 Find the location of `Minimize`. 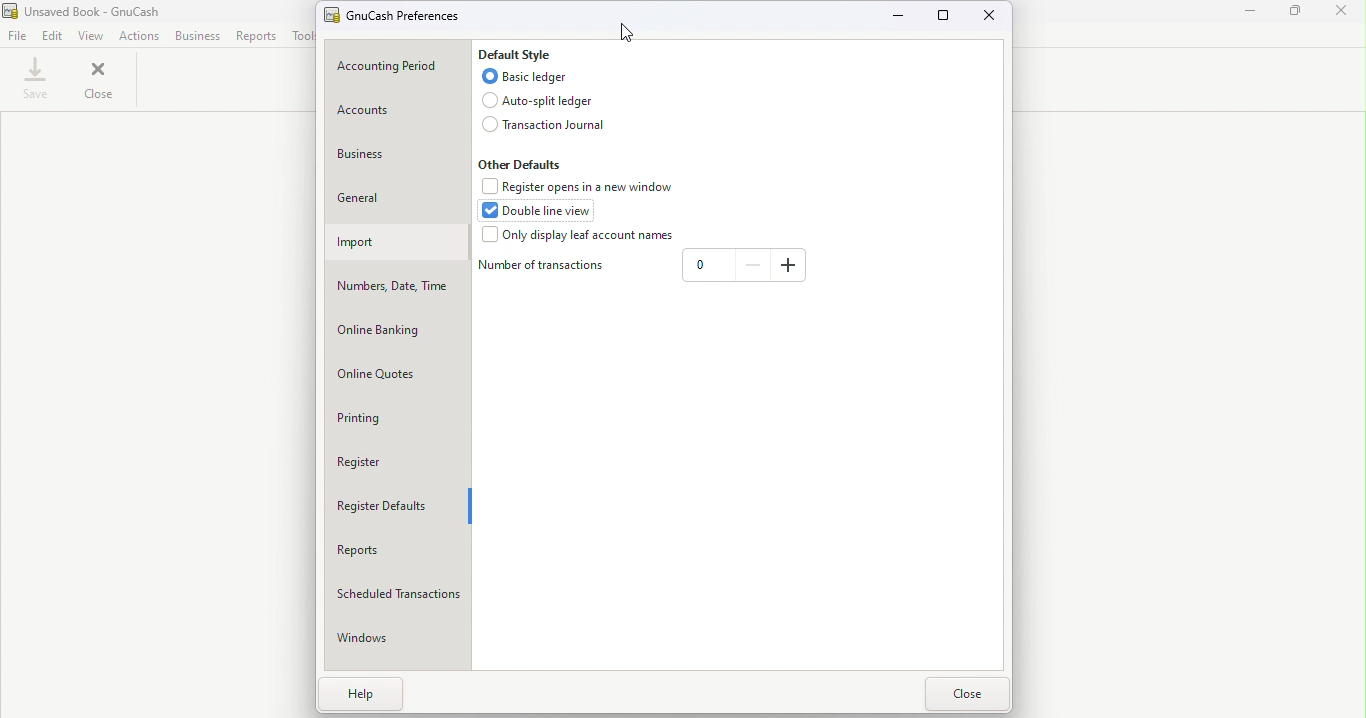

Minimize is located at coordinates (900, 16).